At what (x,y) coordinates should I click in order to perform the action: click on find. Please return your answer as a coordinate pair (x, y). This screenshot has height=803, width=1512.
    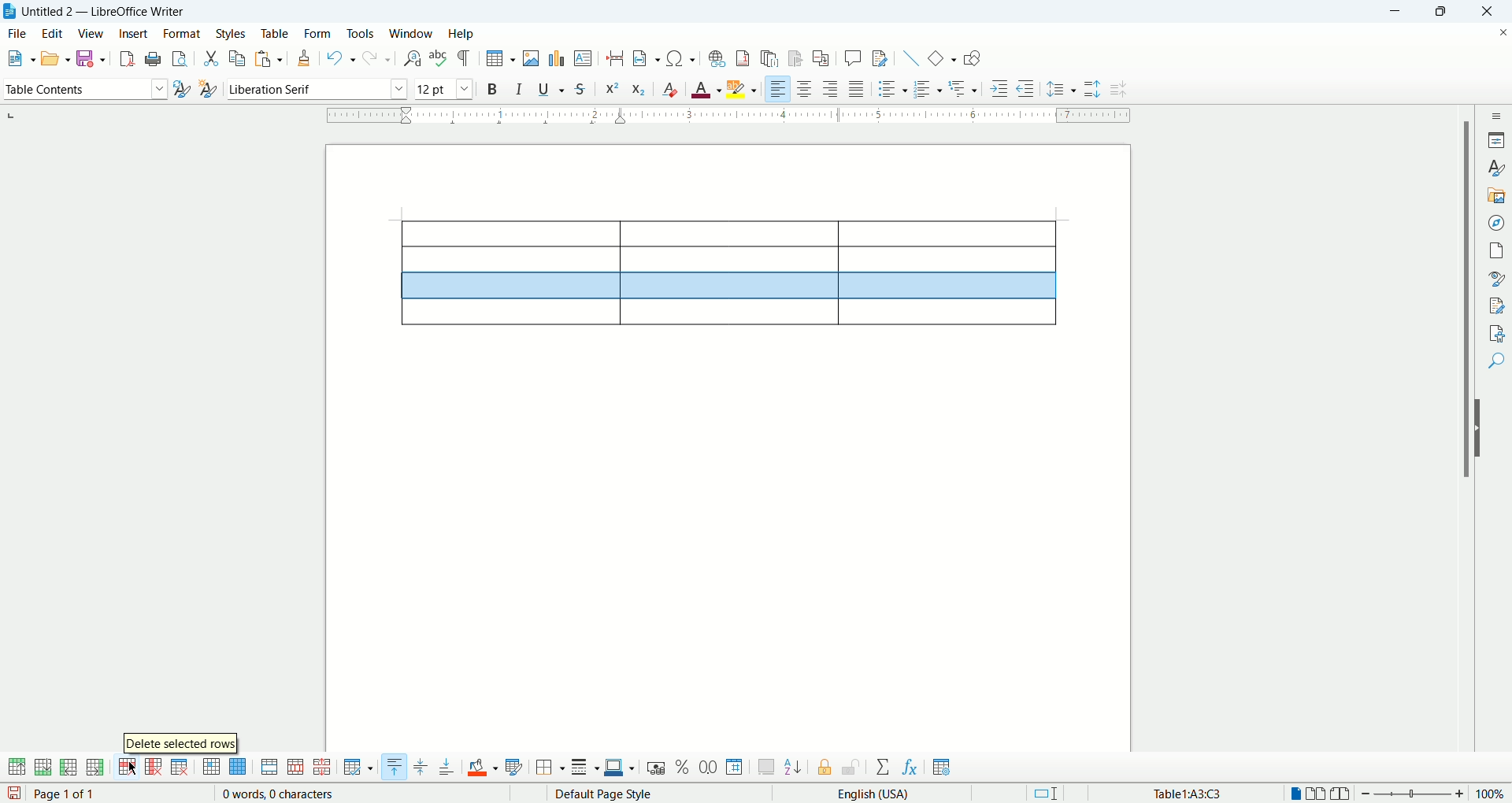
    Looking at the image, I should click on (1495, 361).